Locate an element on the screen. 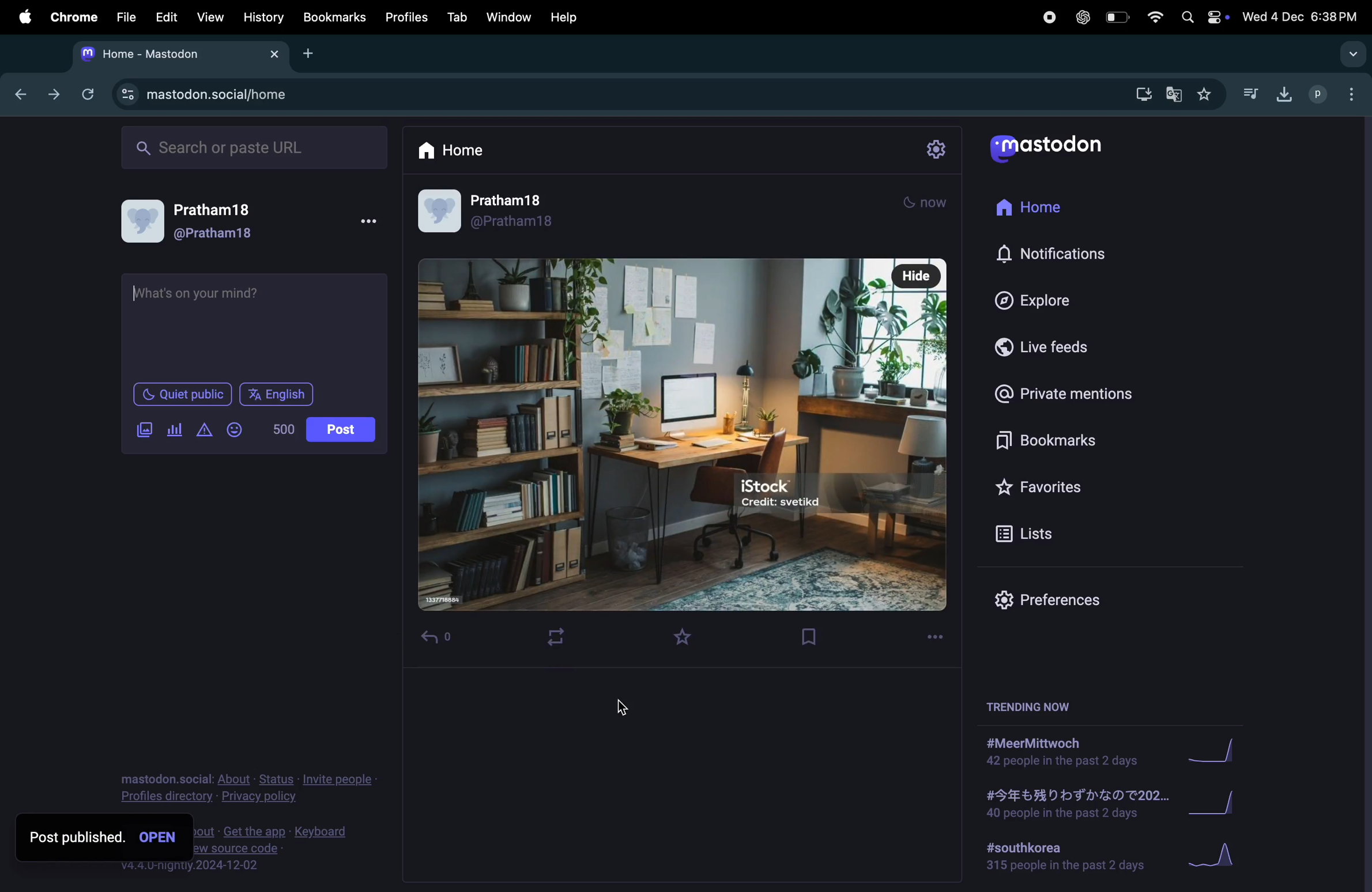  refresh is located at coordinates (88, 94).